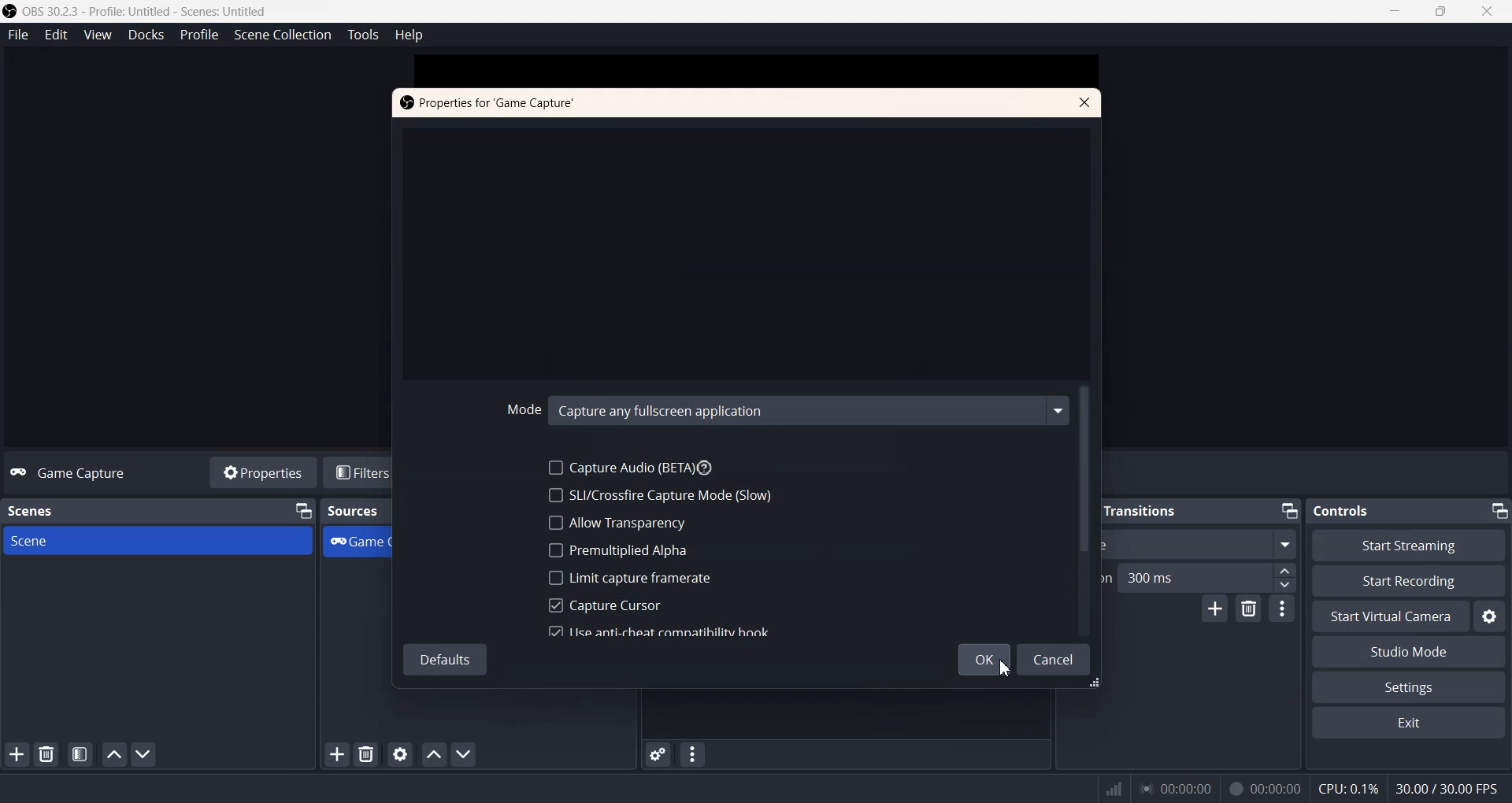 This screenshot has height=803, width=1512. Describe the element at coordinates (1141, 509) in the screenshot. I see `Text` at that location.